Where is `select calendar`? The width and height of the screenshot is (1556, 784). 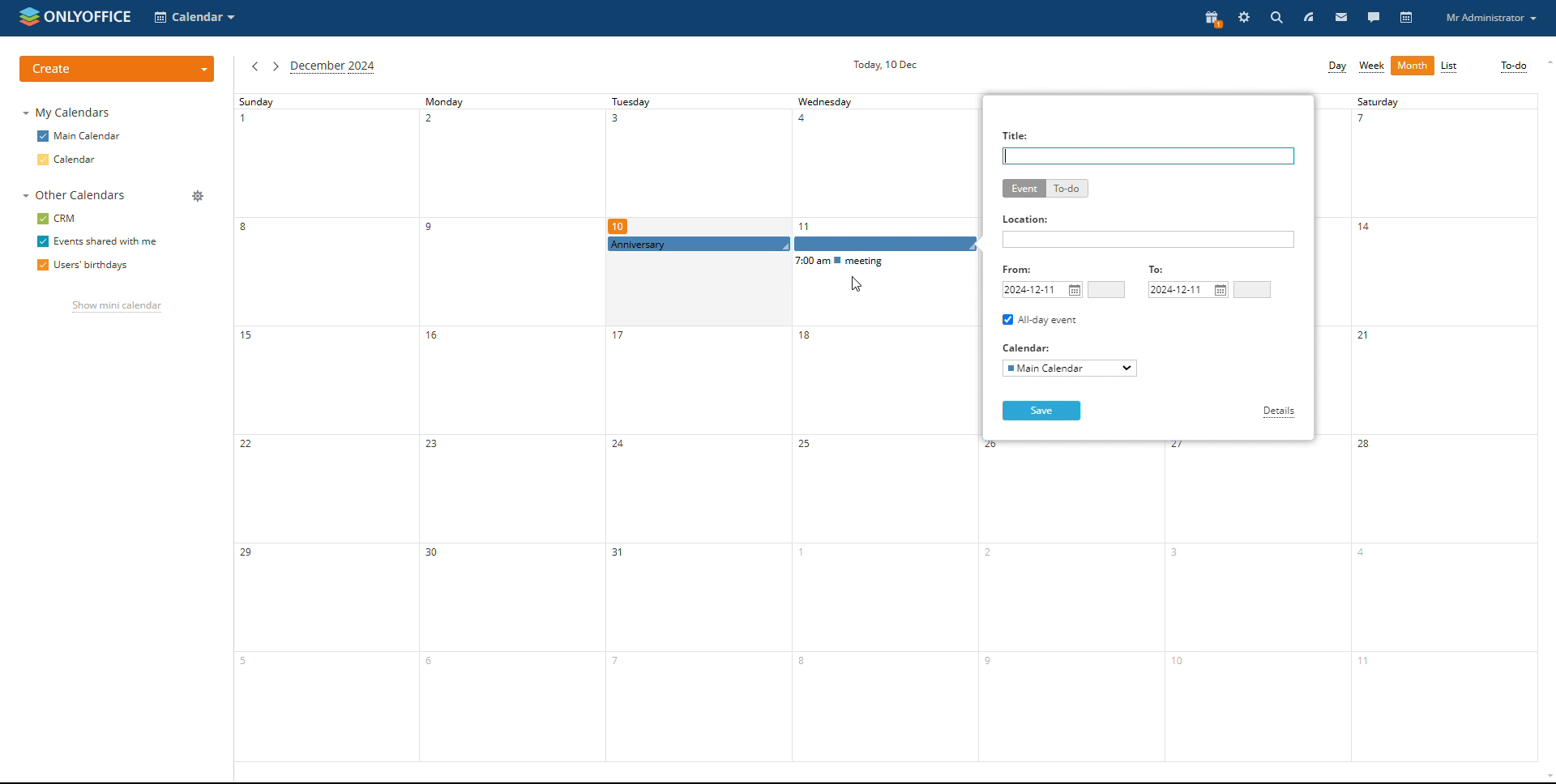
select calendar is located at coordinates (1069, 369).